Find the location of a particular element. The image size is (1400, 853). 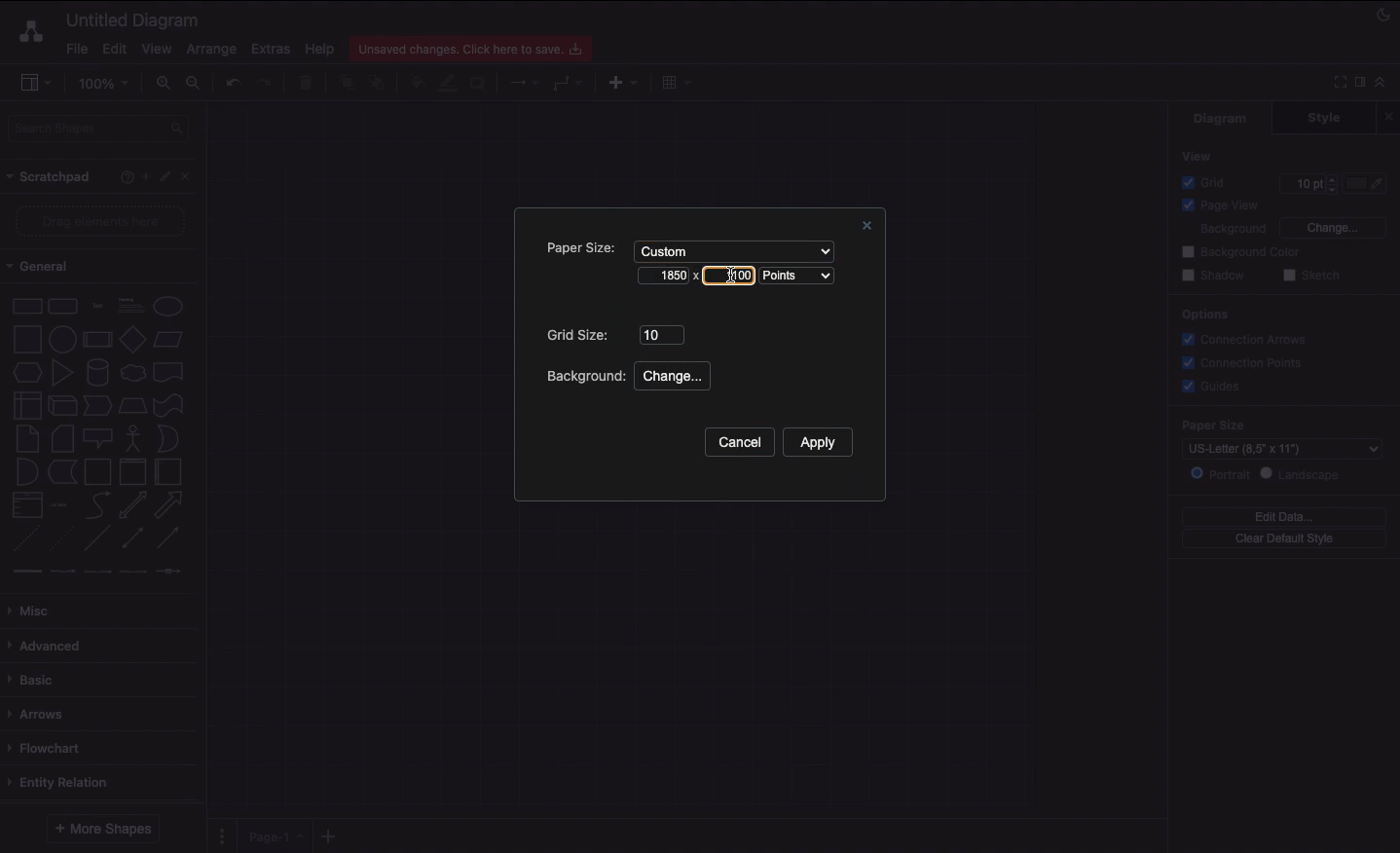

More shapes is located at coordinates (101, 829).